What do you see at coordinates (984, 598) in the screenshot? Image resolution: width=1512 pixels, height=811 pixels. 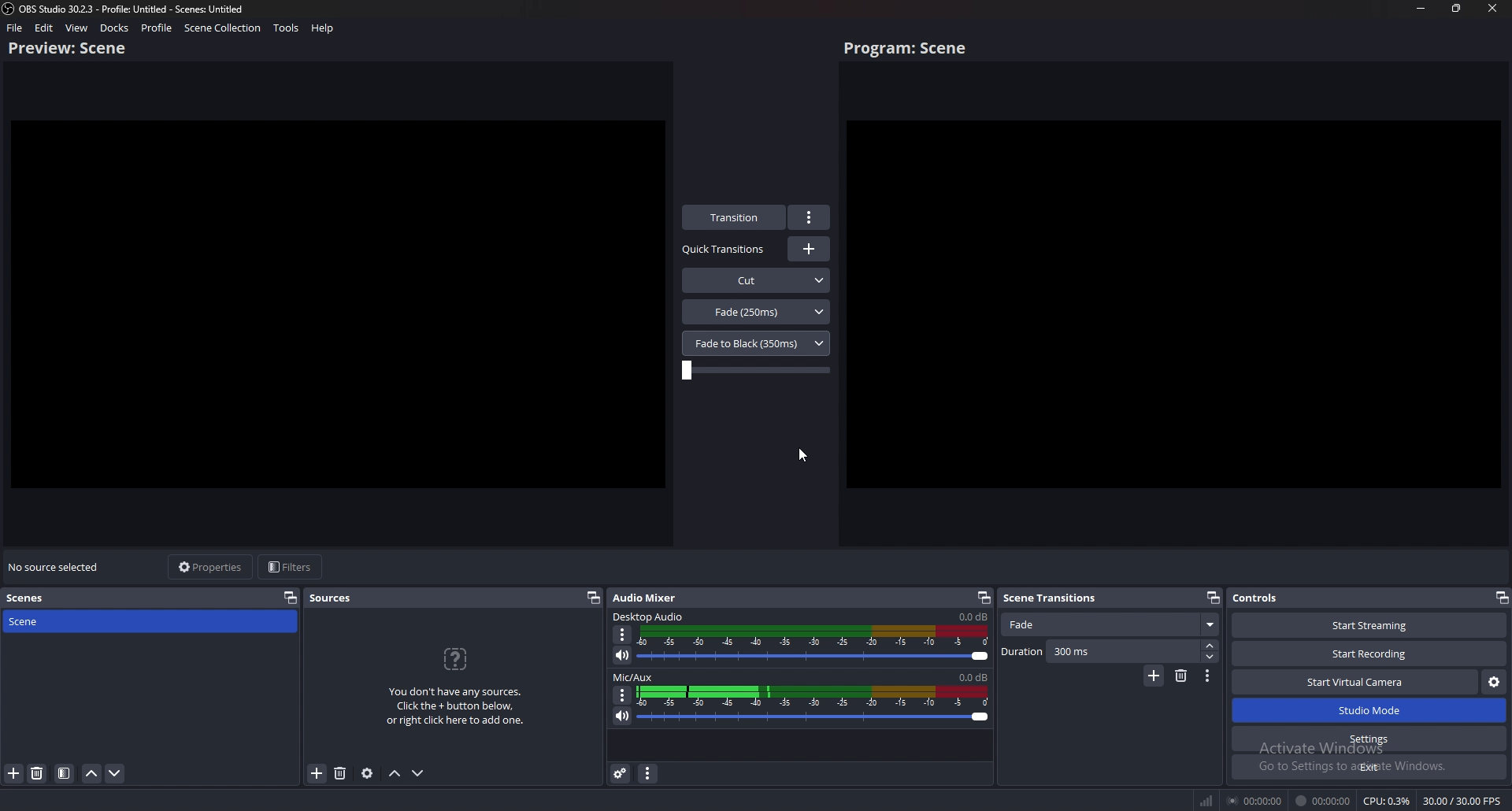 I see `Pop out` at bounding box center [984, 598].